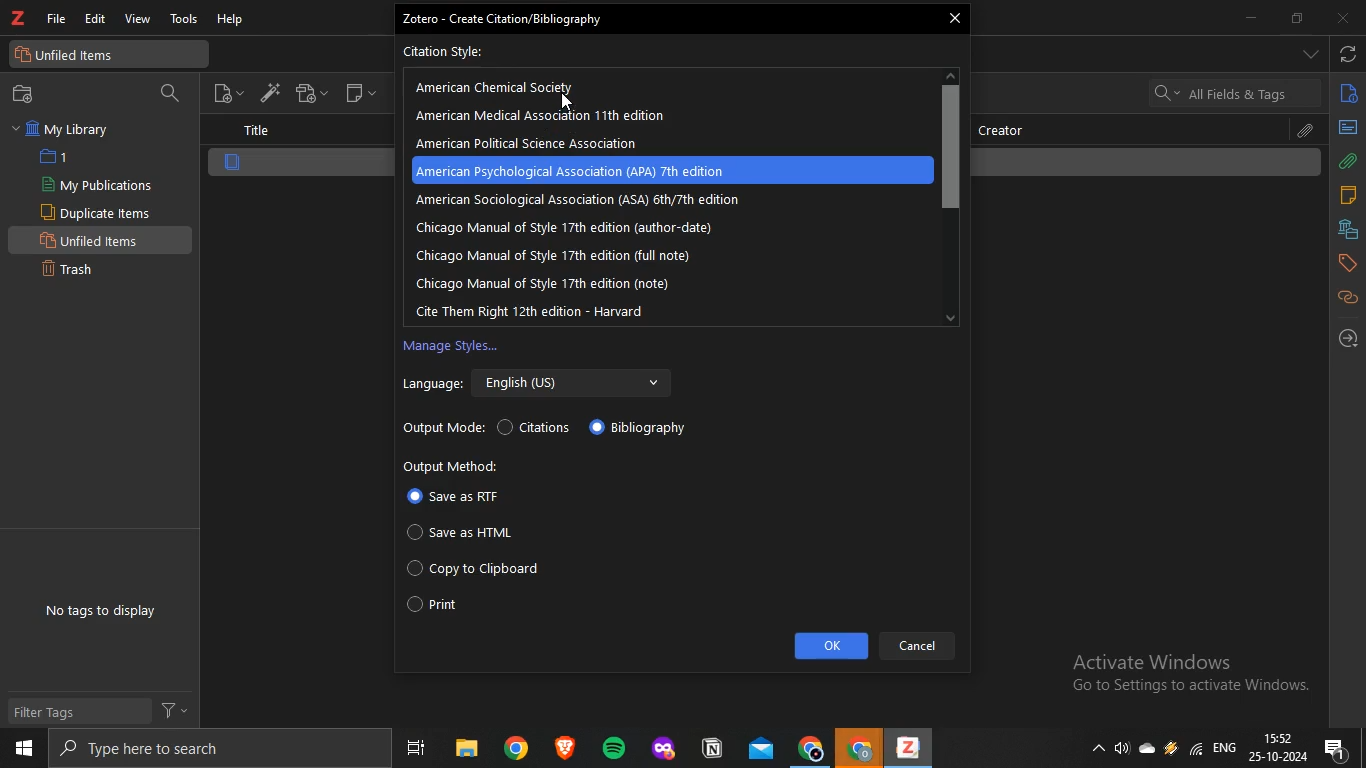  What do you see at coordinates (233, 20) in the screenshot?
I see `help` at bounding box center [233, 20].